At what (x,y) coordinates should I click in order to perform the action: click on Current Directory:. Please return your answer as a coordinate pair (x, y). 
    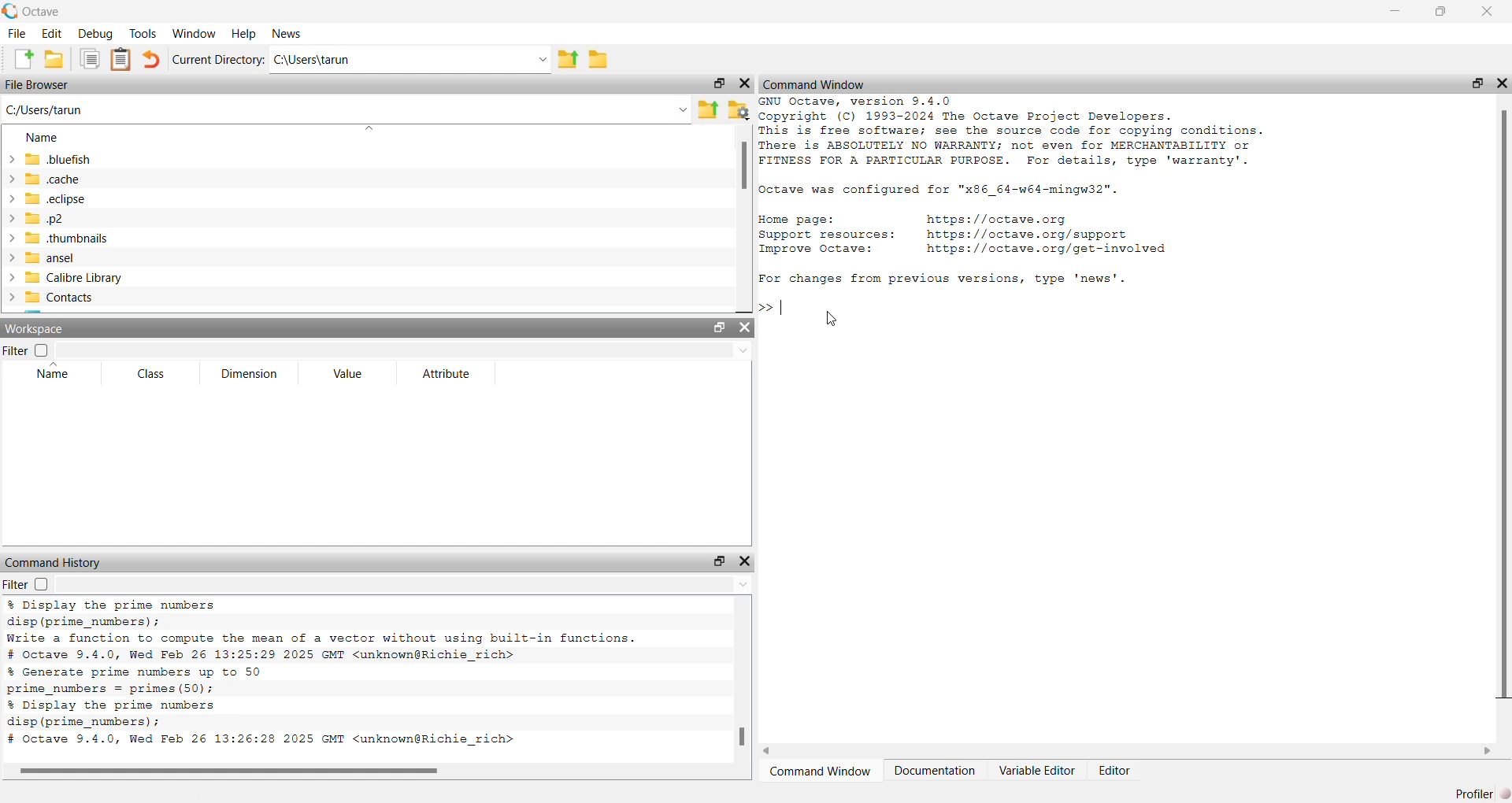
    Looking at the image, I should click on (219, 60).